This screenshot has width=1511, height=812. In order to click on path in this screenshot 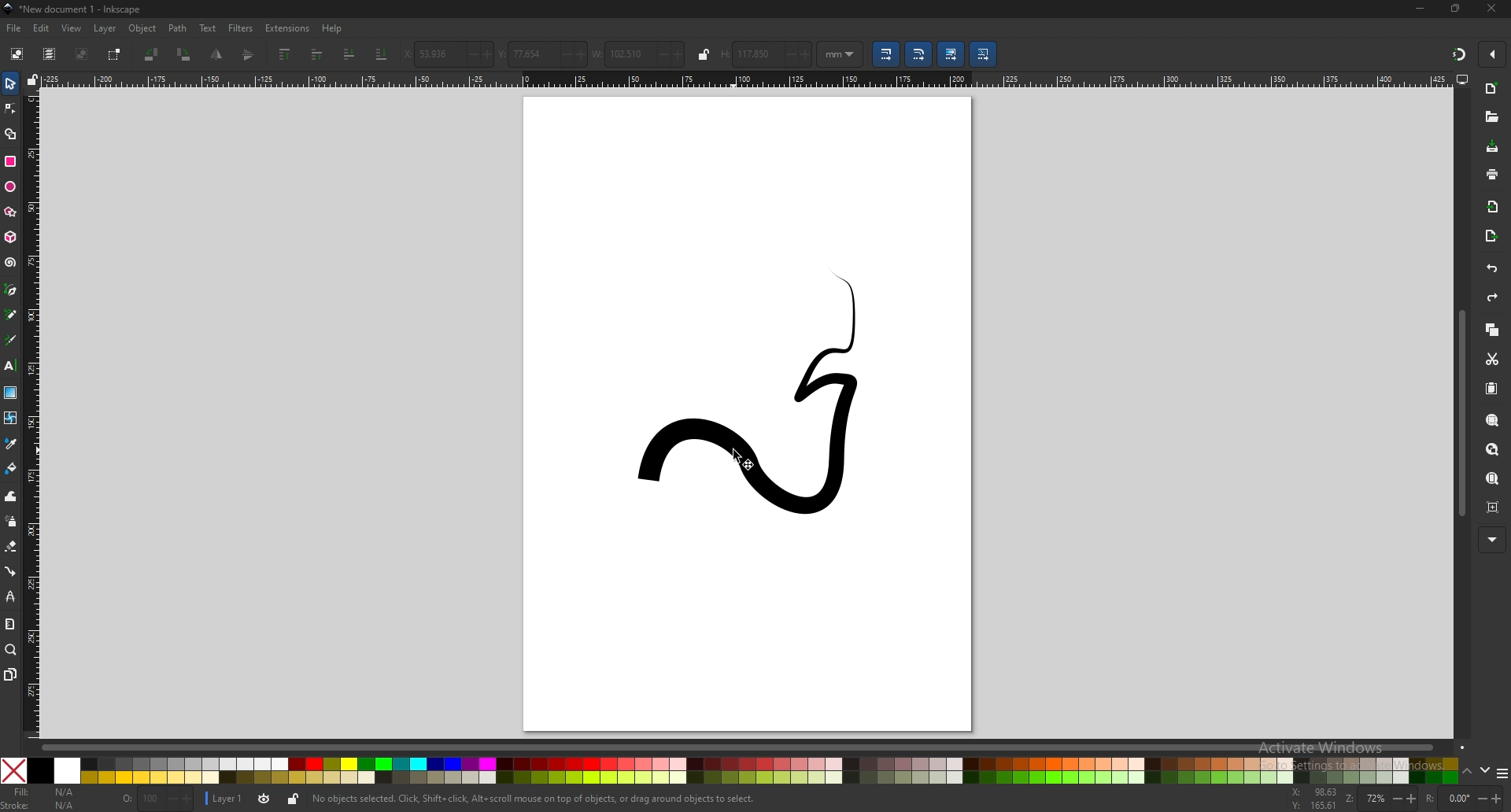, I will do `click(179, 28)`.